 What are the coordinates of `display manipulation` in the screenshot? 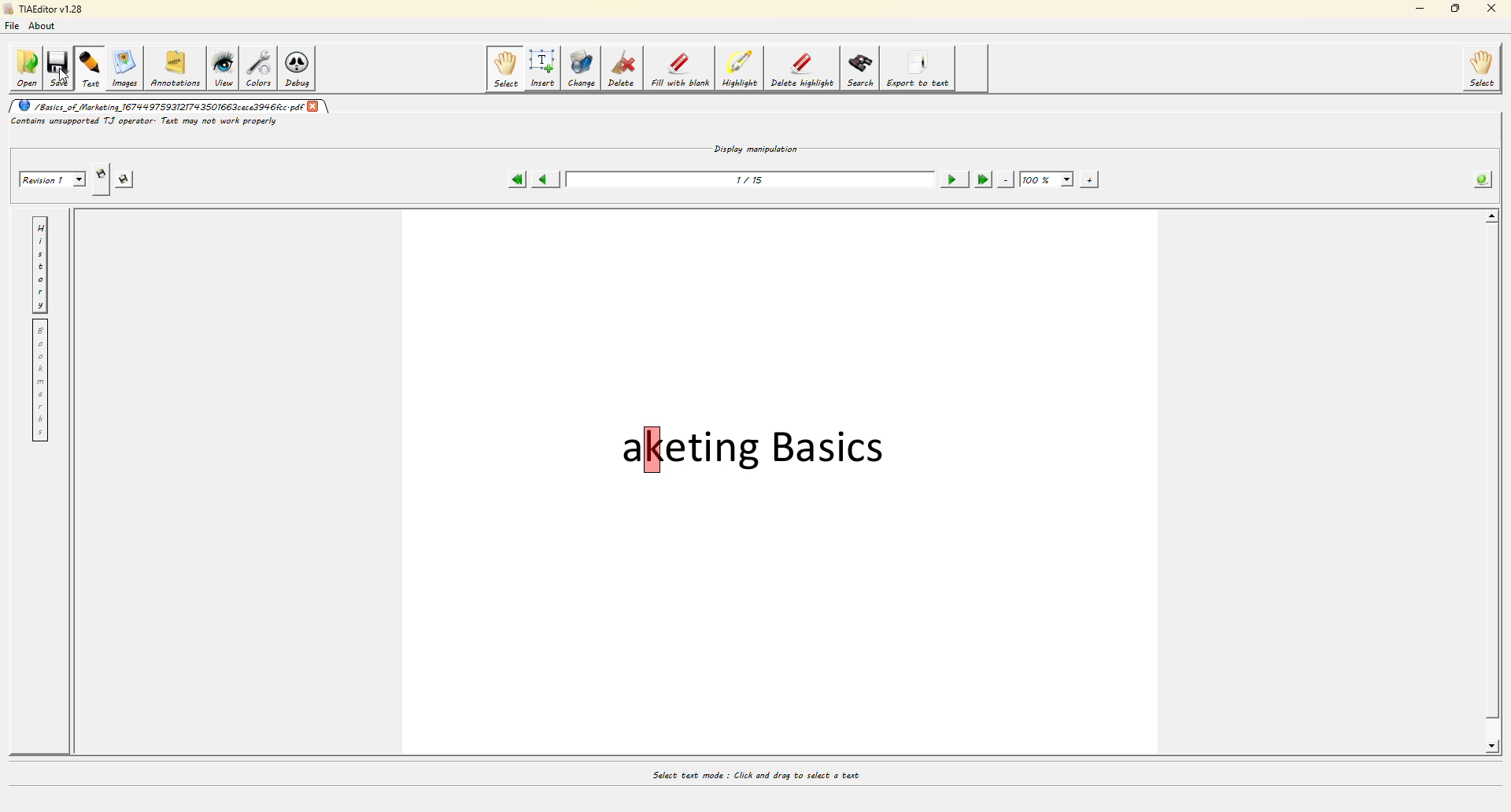 It's located at (756, 145).